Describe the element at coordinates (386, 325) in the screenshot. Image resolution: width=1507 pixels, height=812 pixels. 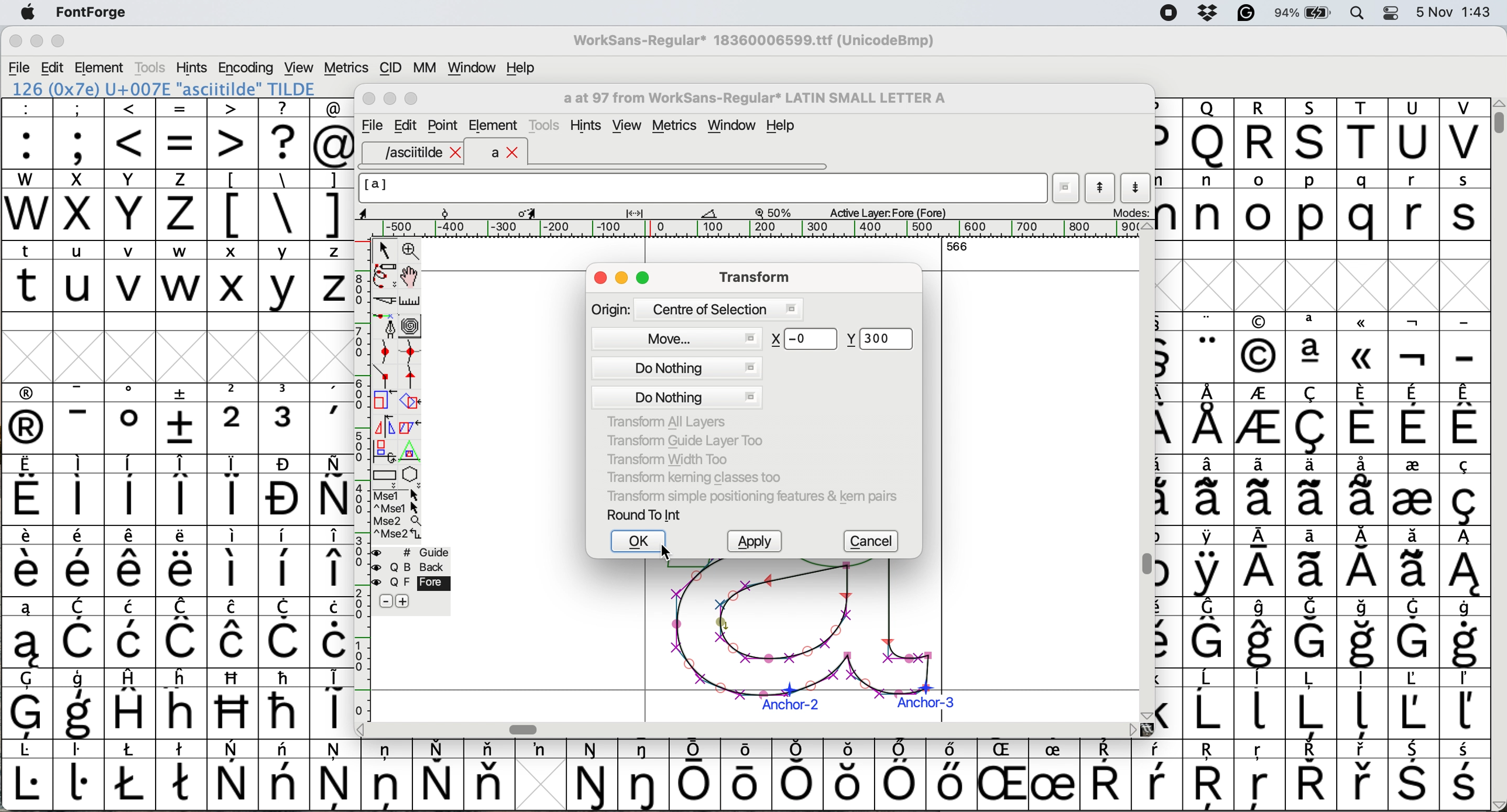
I see `add a  point then drag out its control points` at that location.